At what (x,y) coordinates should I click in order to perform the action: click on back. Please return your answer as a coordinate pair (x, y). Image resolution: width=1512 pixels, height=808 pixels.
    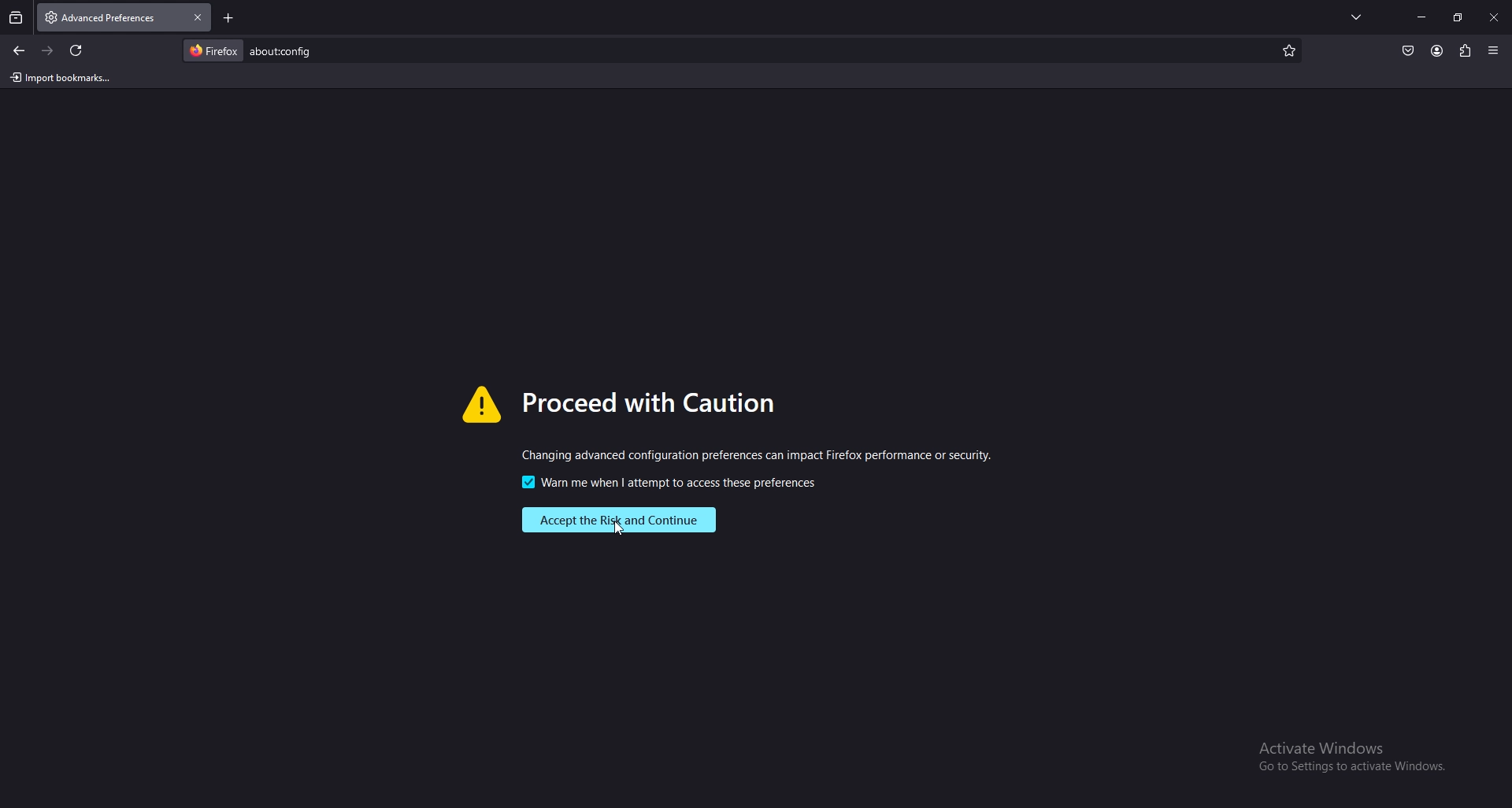
    Looking at the image, I should click on (19, 51).